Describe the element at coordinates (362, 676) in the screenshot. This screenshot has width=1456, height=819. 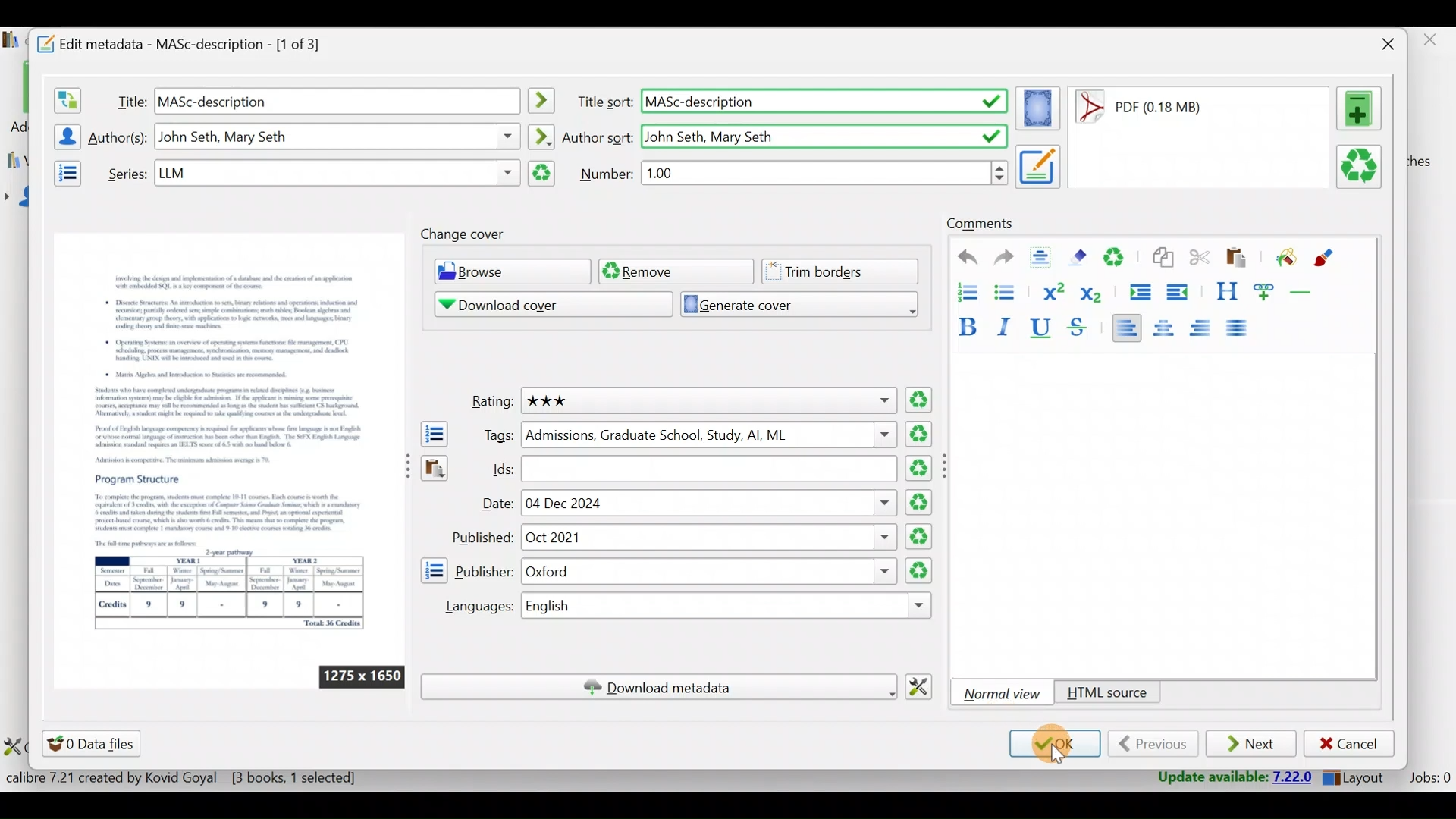
I see `` at that location.